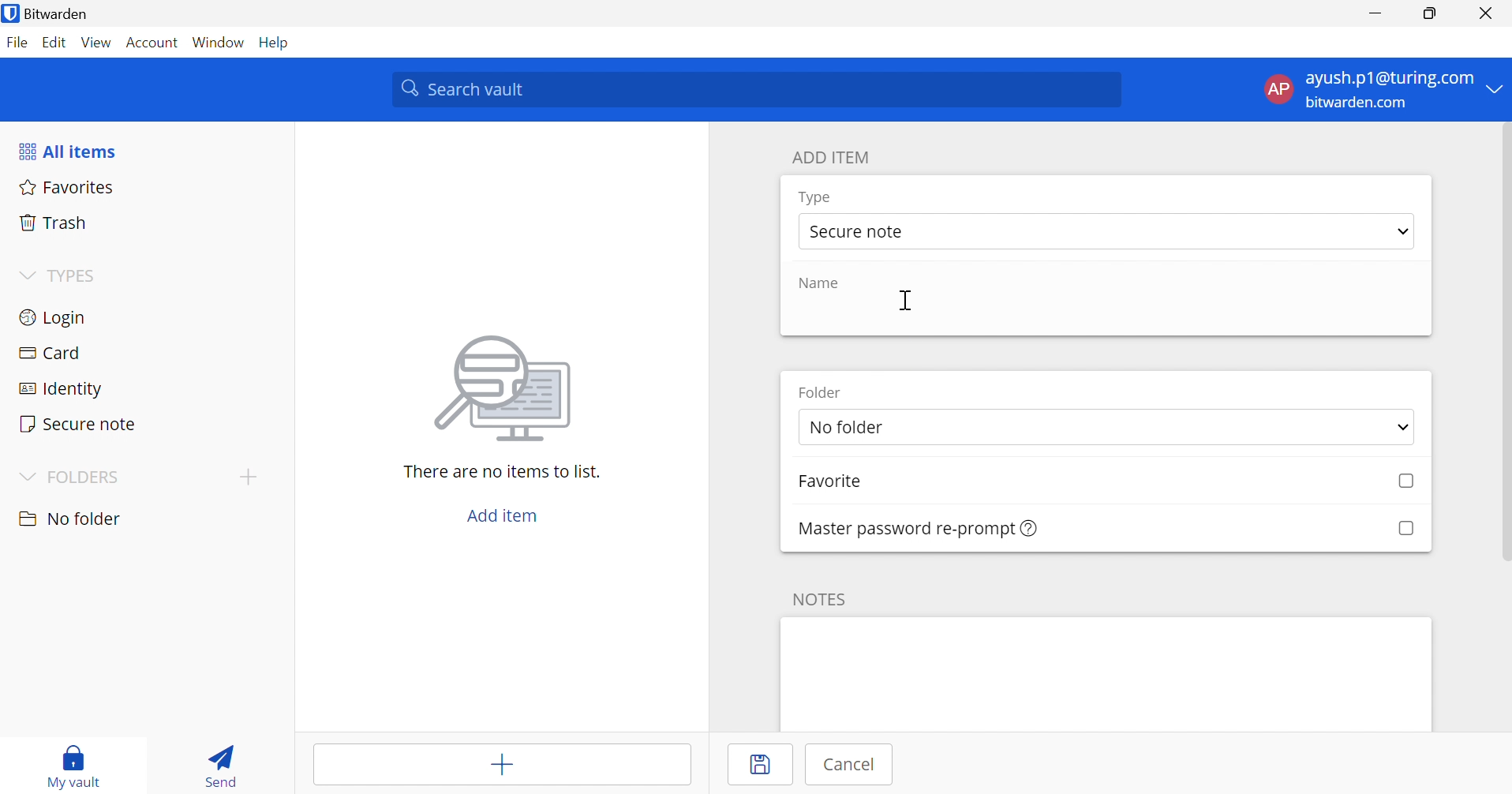  What do you see at coordinates (69, 189) in the screenshot?
I see `Favourites` at bounding box center [69, 189].